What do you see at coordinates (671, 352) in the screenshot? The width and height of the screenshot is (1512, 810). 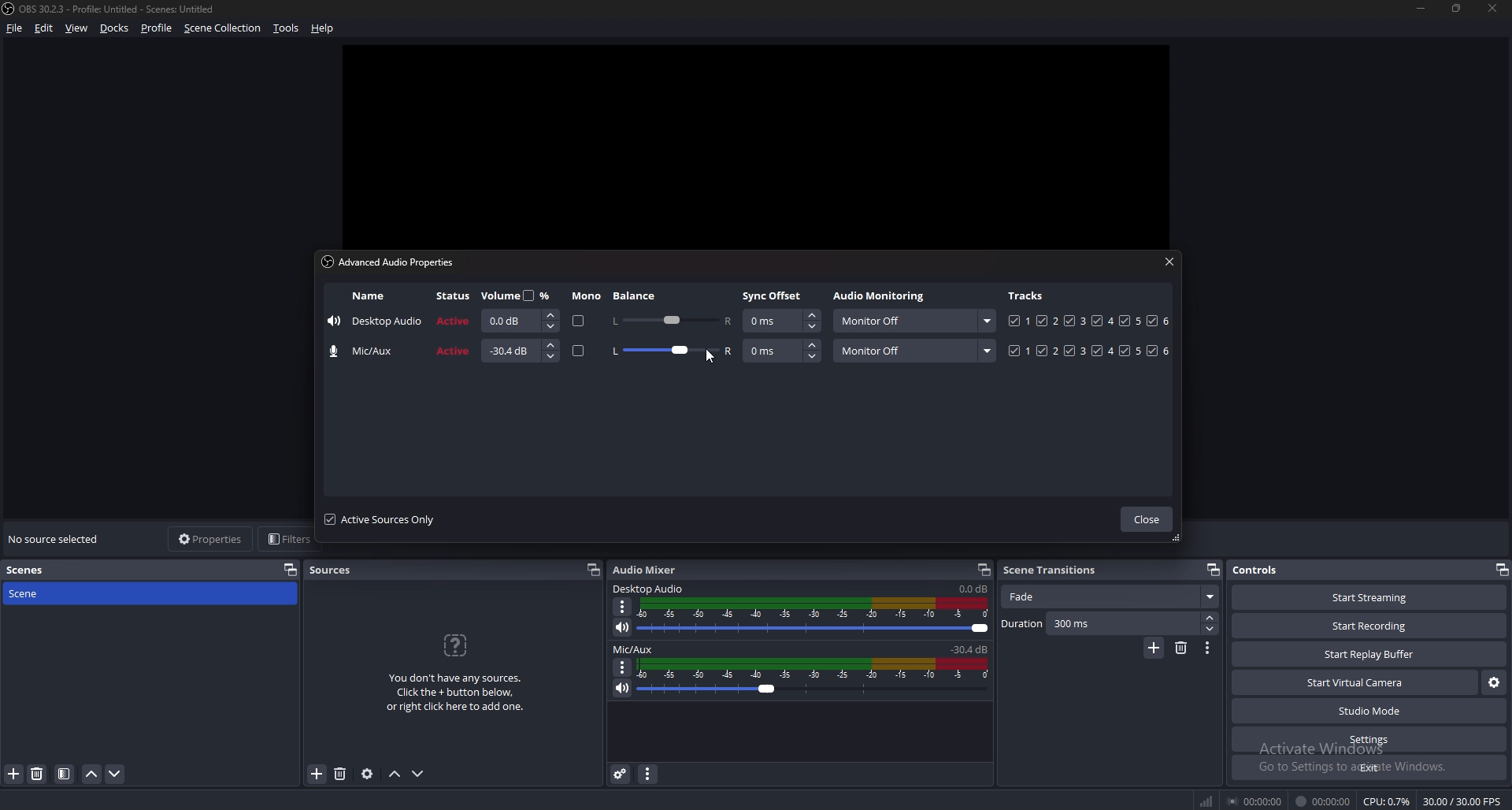 I see `balance adjust` at bounding box center [671, 352].